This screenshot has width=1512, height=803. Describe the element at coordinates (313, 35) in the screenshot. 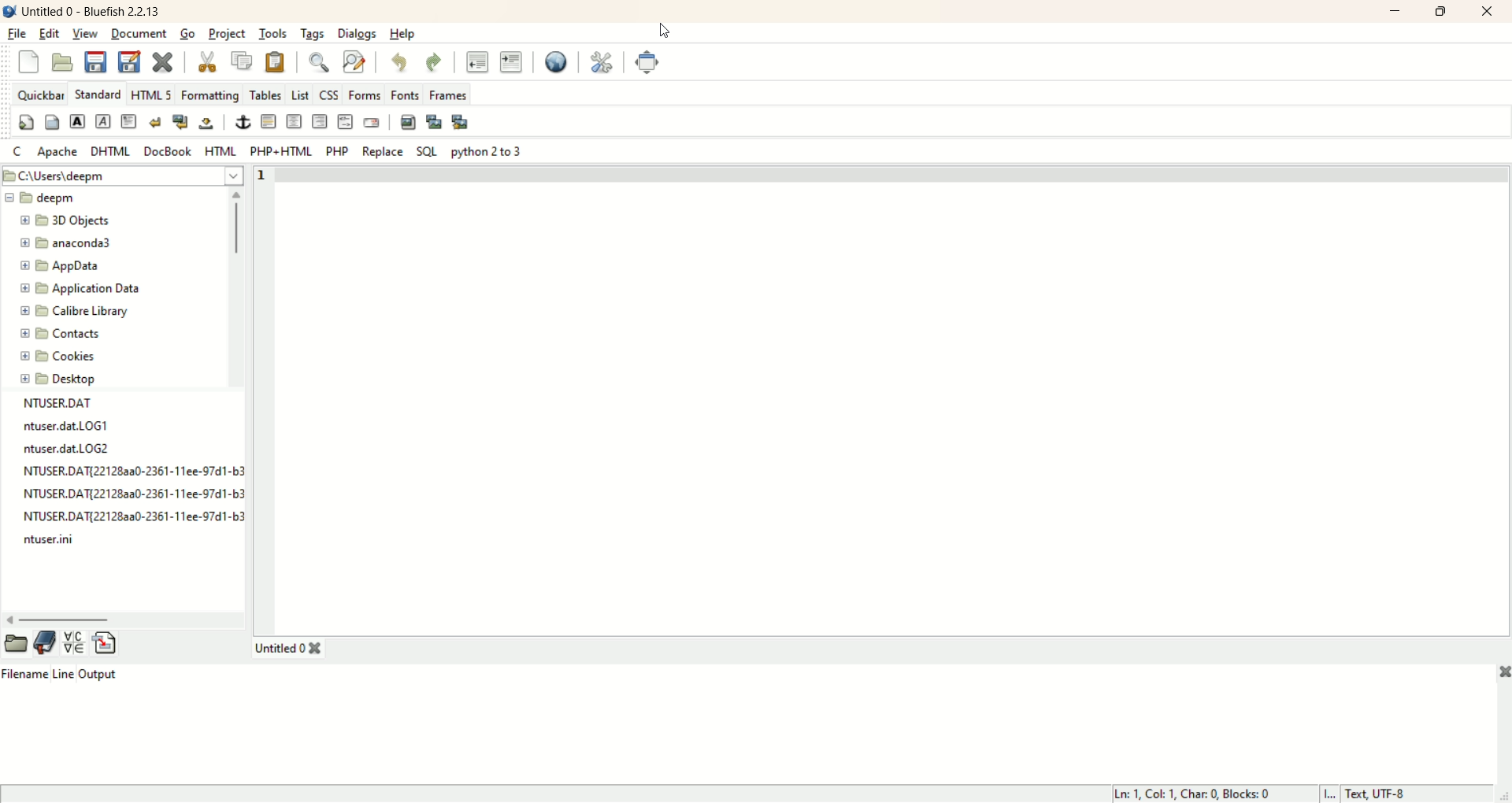

I see `tags` at that location.